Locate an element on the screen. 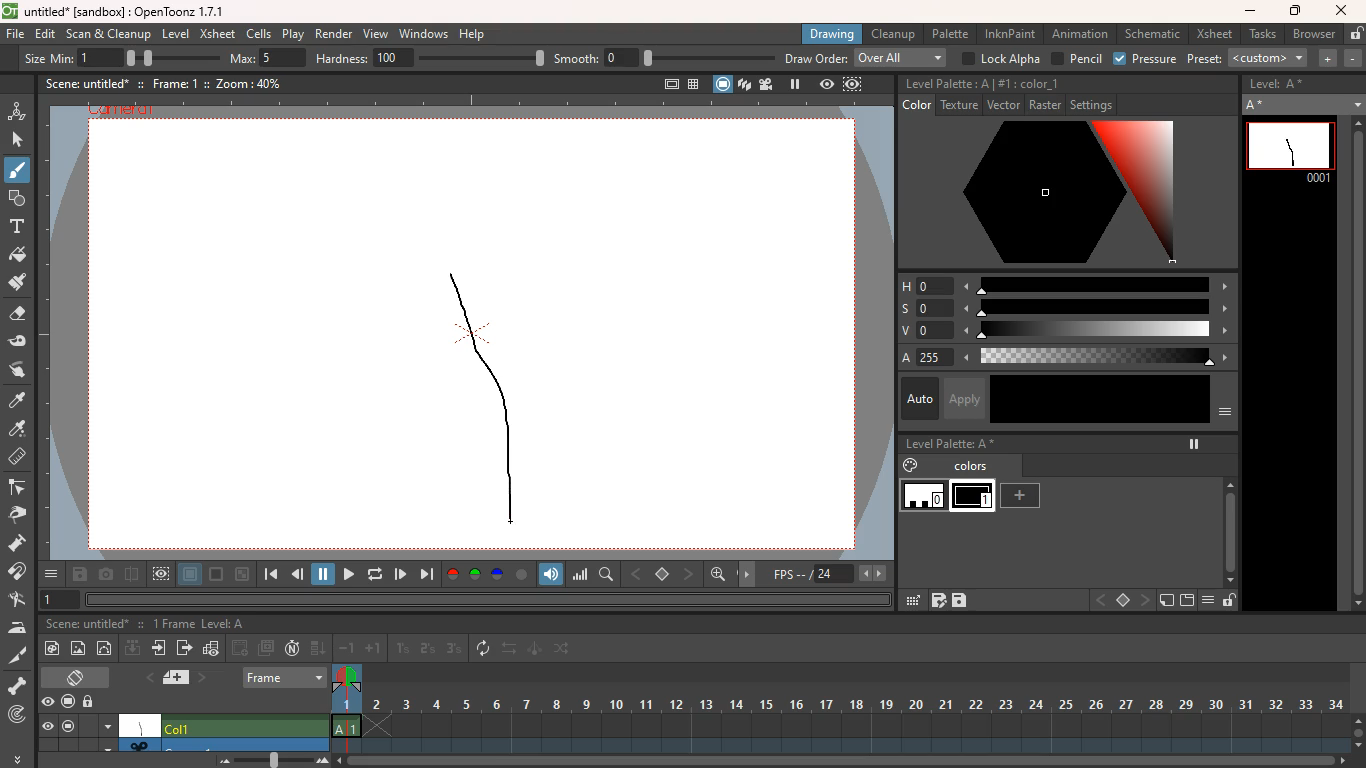 The image size is (1366, 768). browser is located at coordinates (1312, 33).